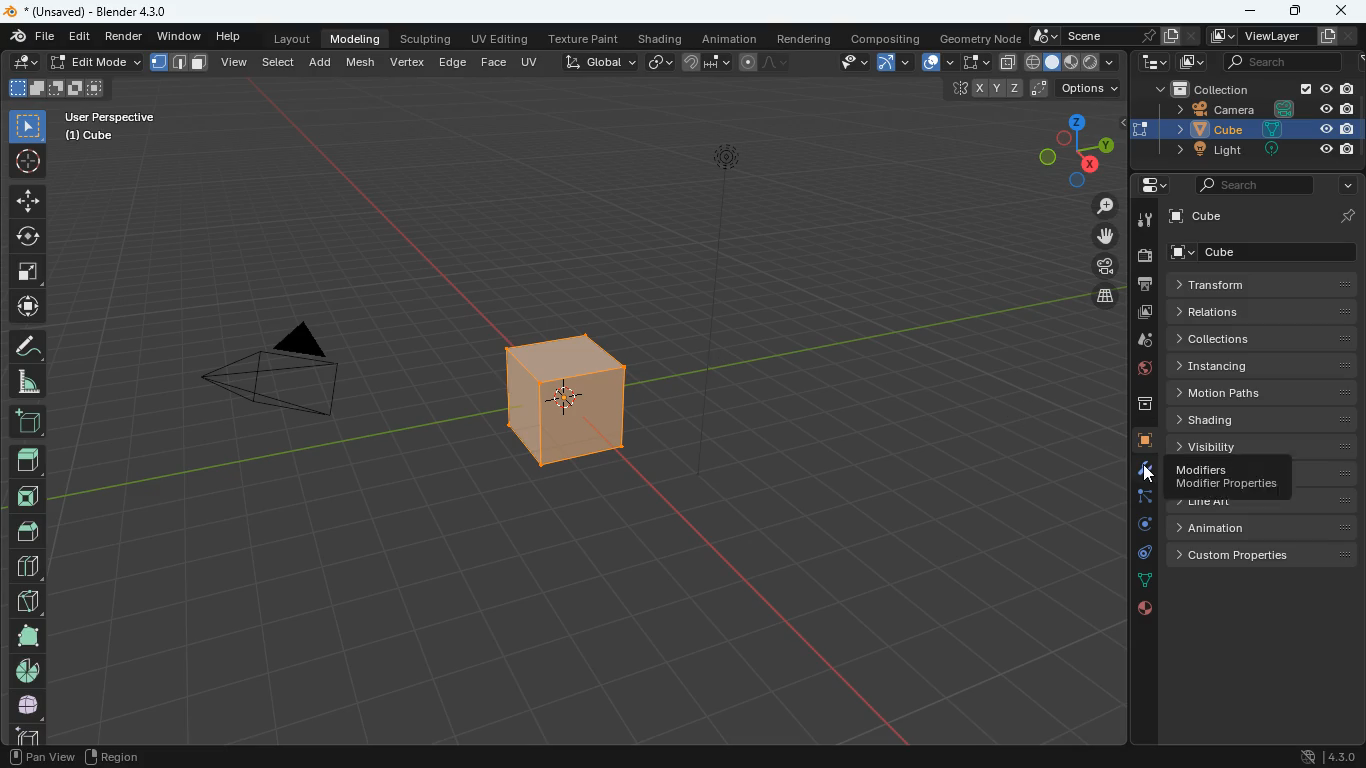  I want to click on shape, so click(1073, 61).